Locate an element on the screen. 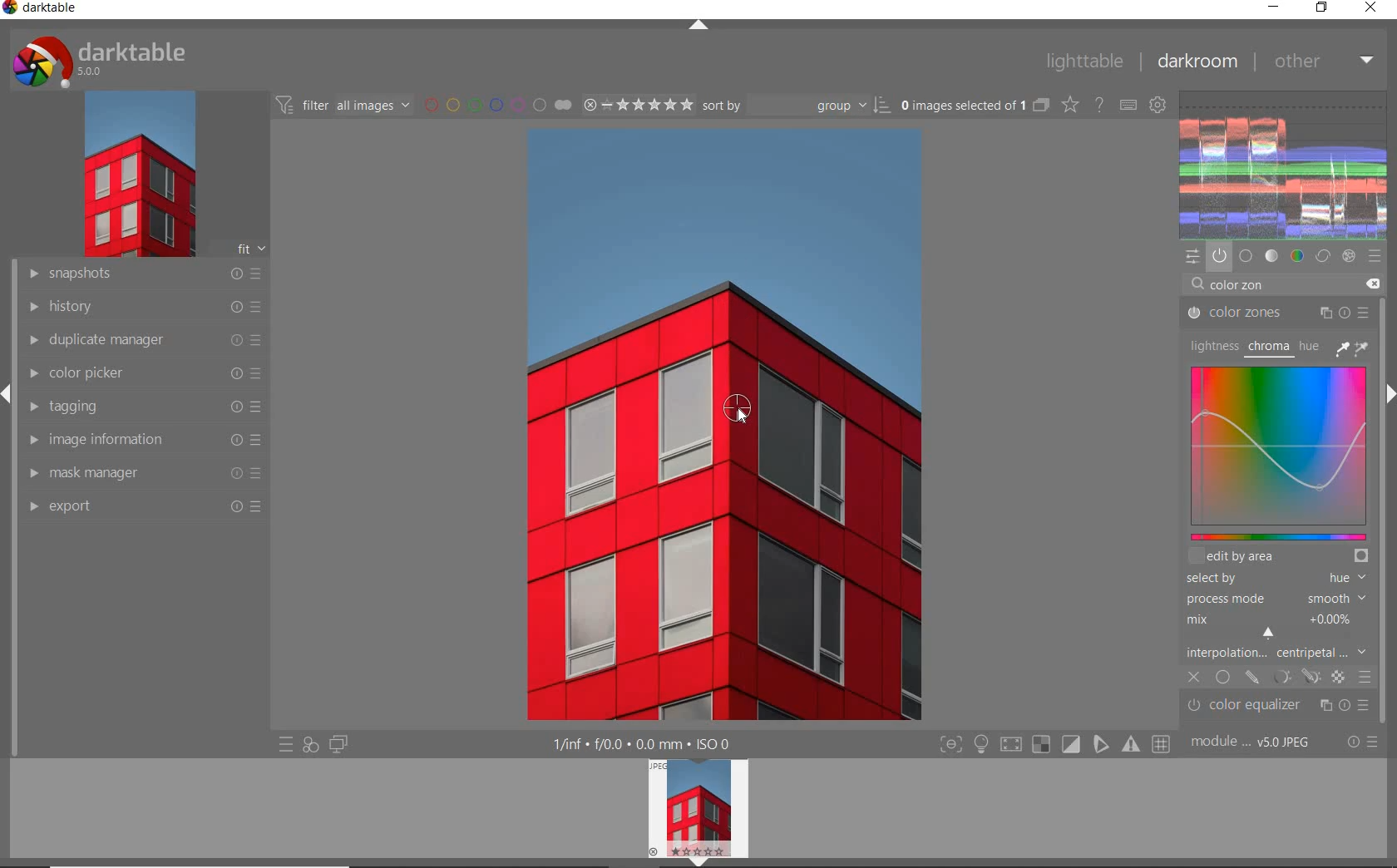 This screenshot has height=868, width=1397. gamut check is located at coordinates (1039, 744).